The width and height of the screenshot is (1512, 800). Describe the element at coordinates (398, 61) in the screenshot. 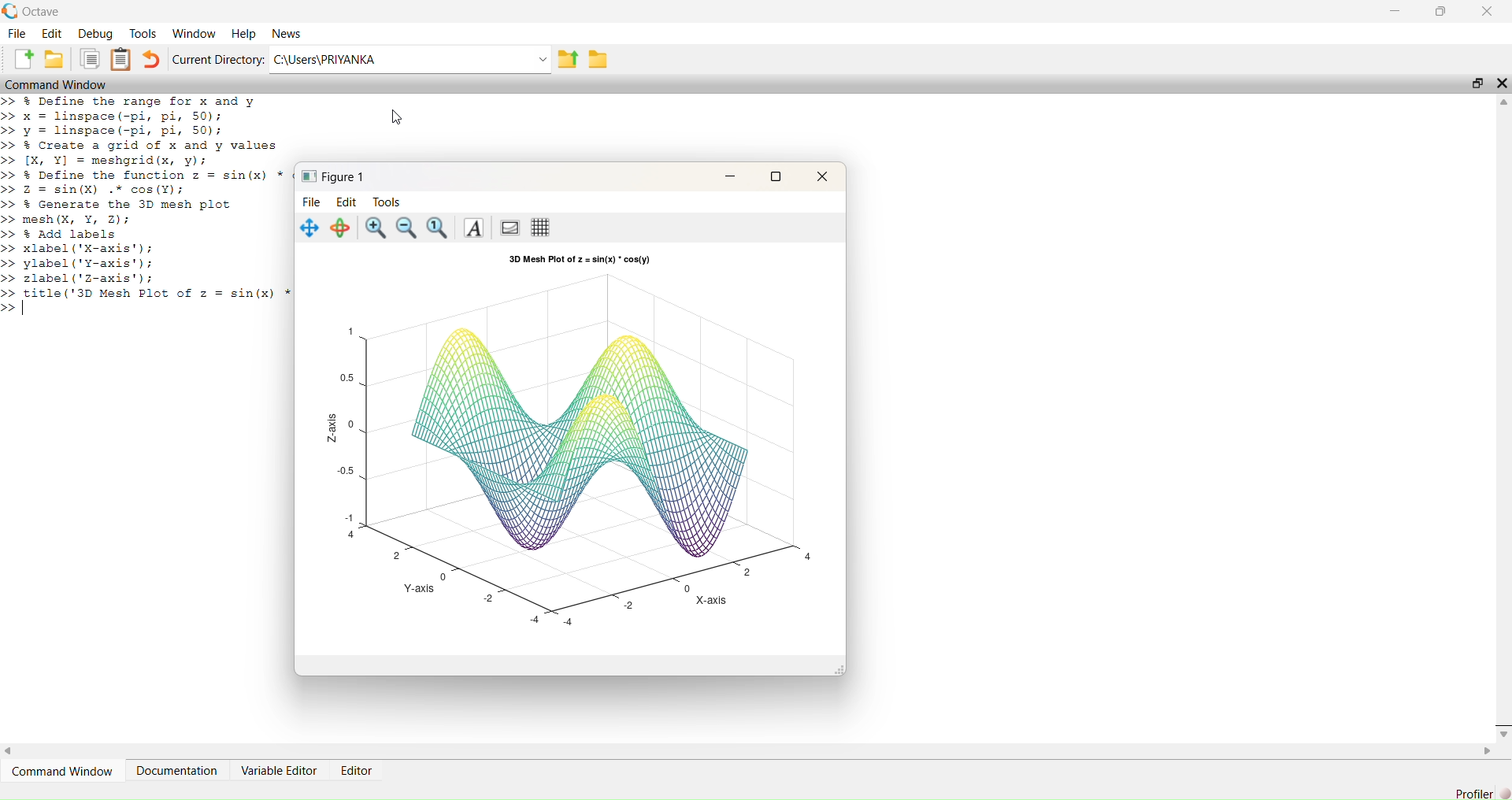

I see `C:/Users/PRIYANKA` at that location.